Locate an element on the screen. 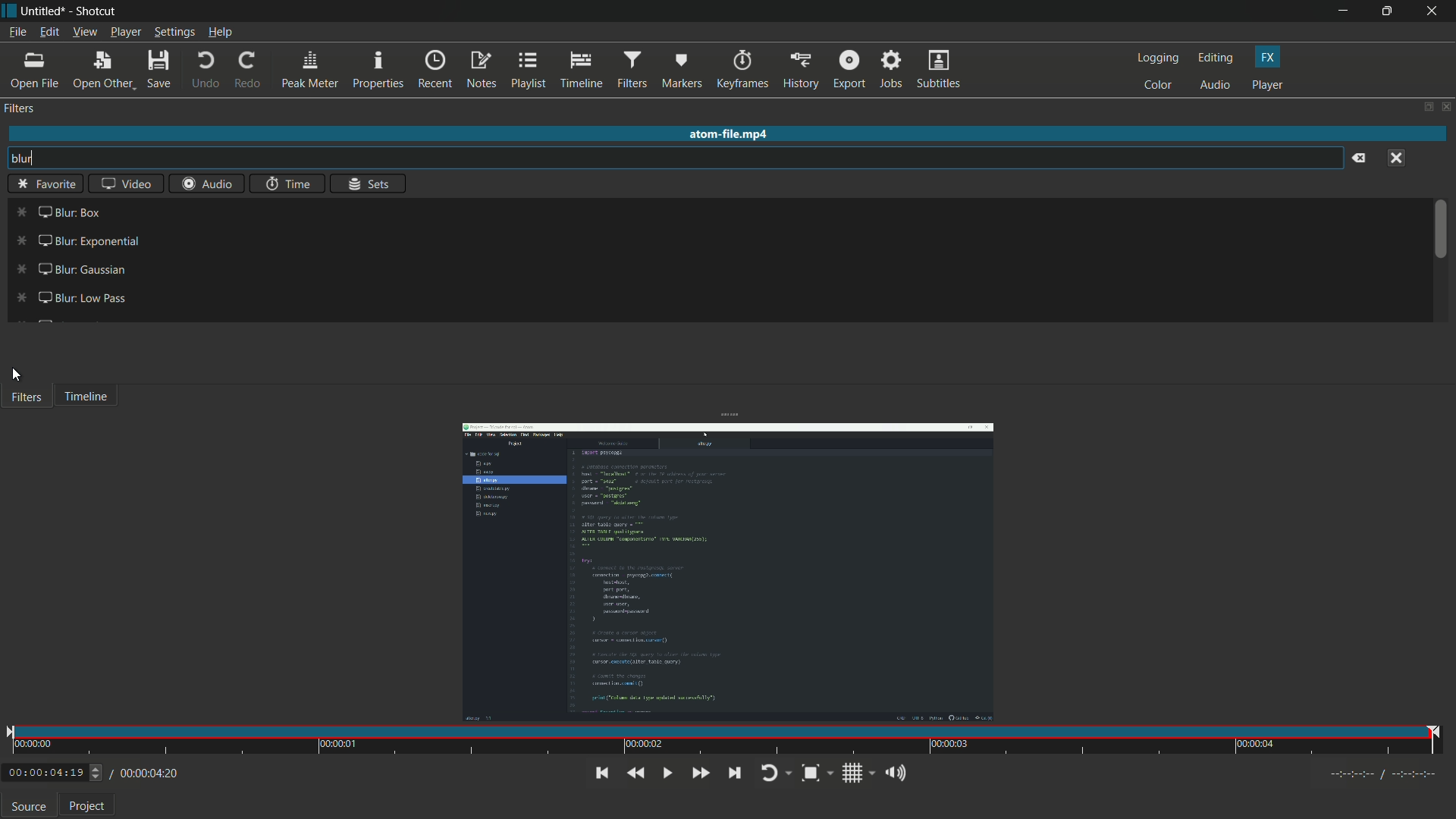 Image resolution: width=1456 pixels, height=819 pixels. logging is located at coordinates (1158, 58).